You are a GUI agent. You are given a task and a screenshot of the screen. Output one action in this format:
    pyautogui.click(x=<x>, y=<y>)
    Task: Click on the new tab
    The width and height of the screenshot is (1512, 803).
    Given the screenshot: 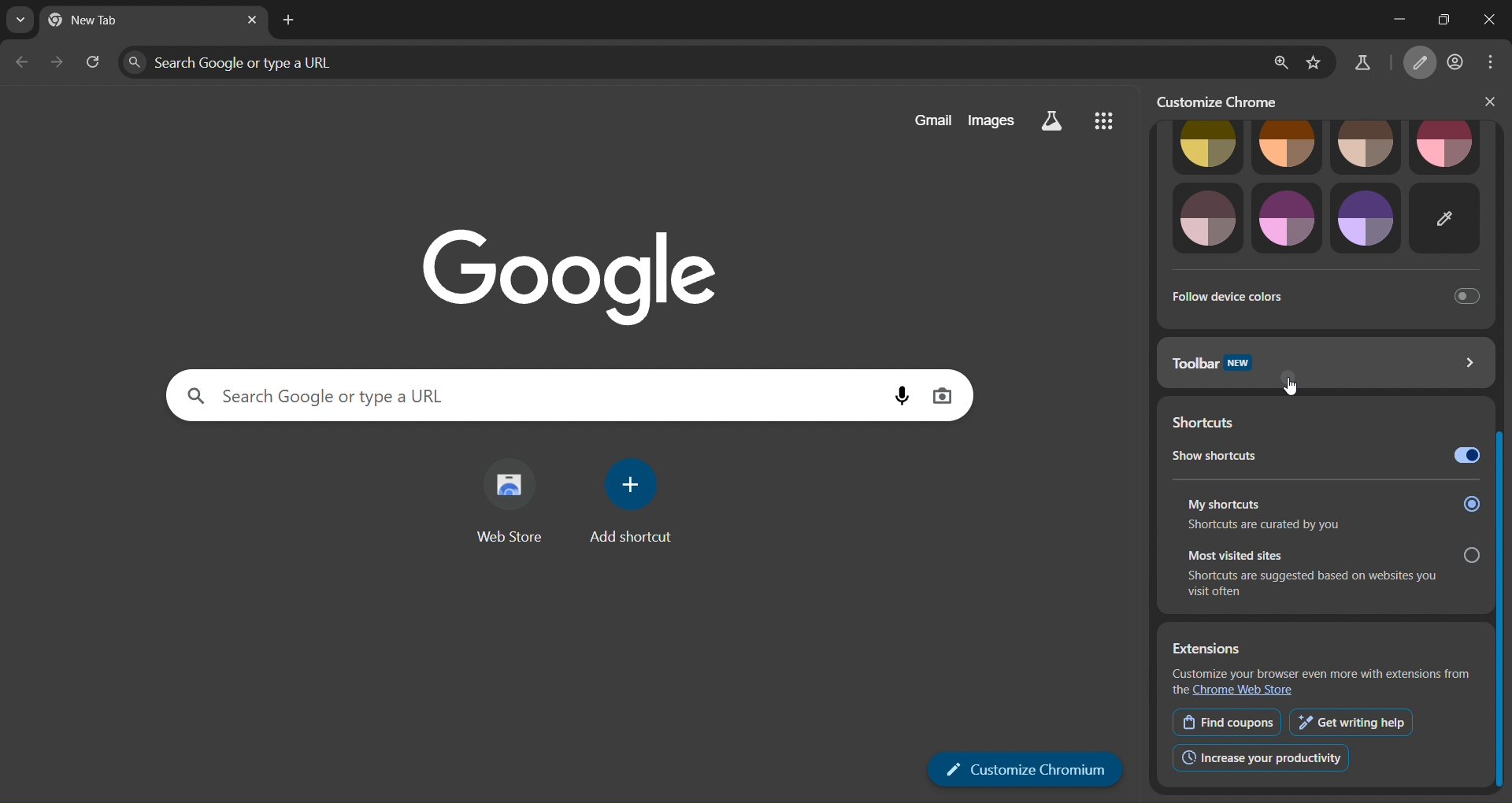 What is the action you would take?
    pyautogui.click(x=289, y=21)
    